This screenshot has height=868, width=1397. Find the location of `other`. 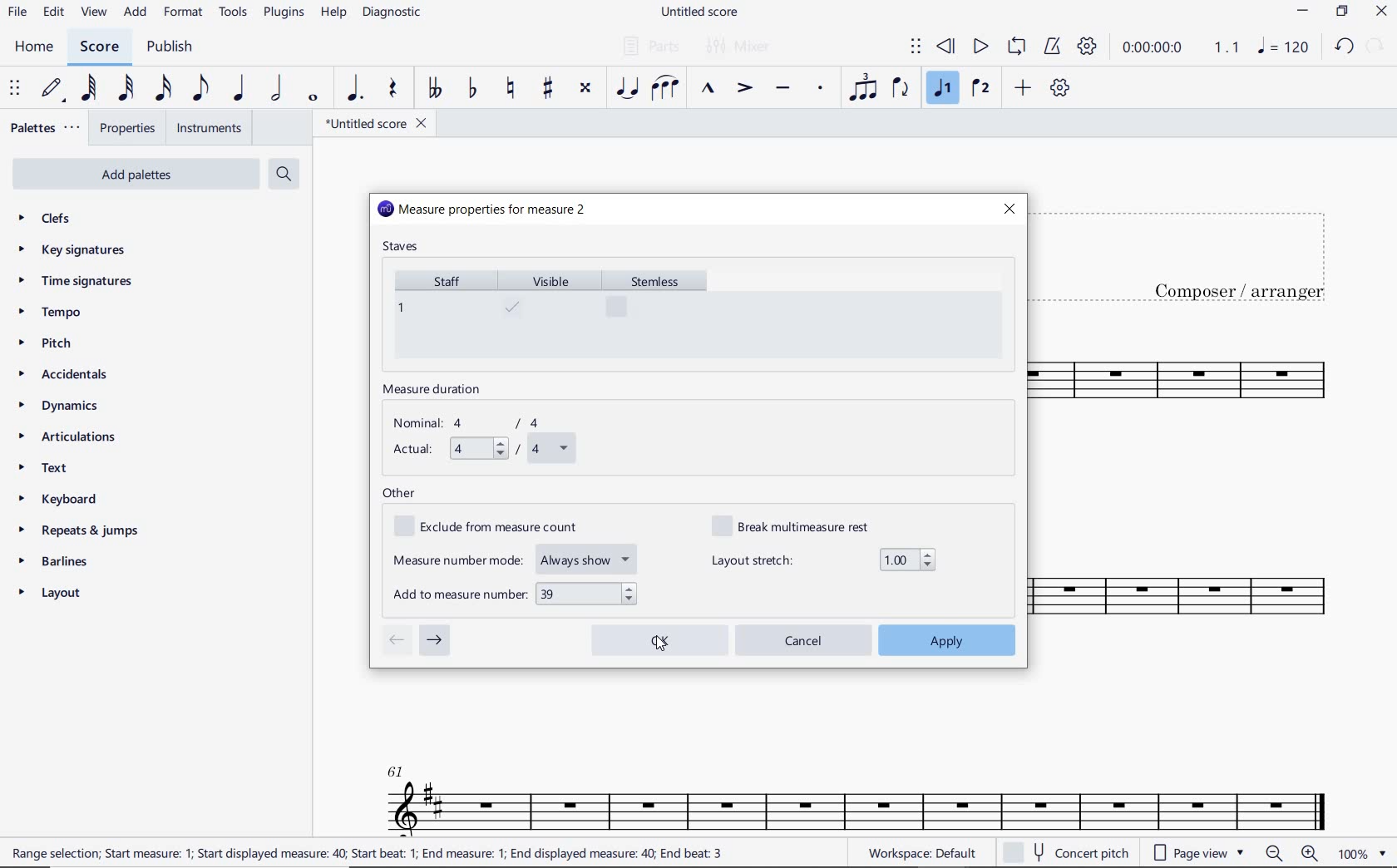

other is located at coordinates (399, 494).